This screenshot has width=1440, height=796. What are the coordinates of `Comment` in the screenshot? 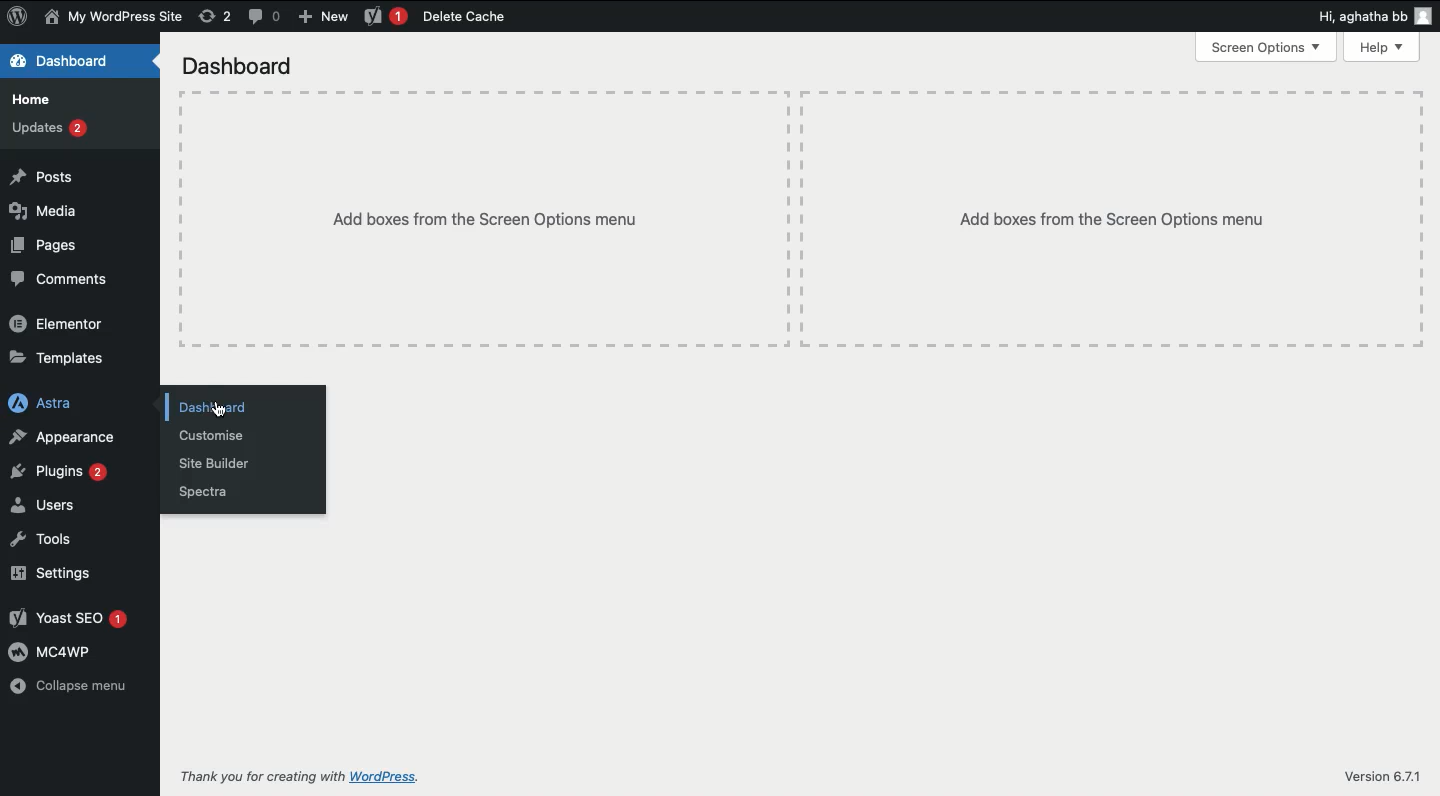 It's located at (265, 15).